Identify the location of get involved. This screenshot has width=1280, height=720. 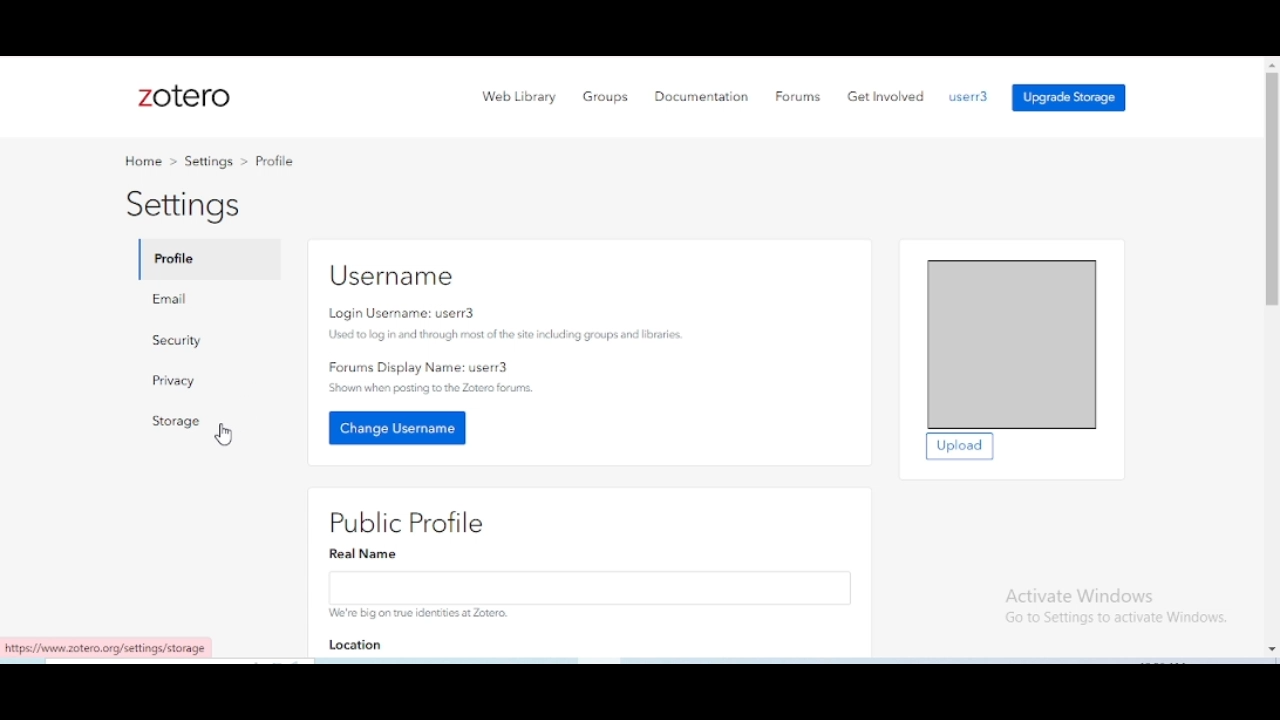
(886, 96).